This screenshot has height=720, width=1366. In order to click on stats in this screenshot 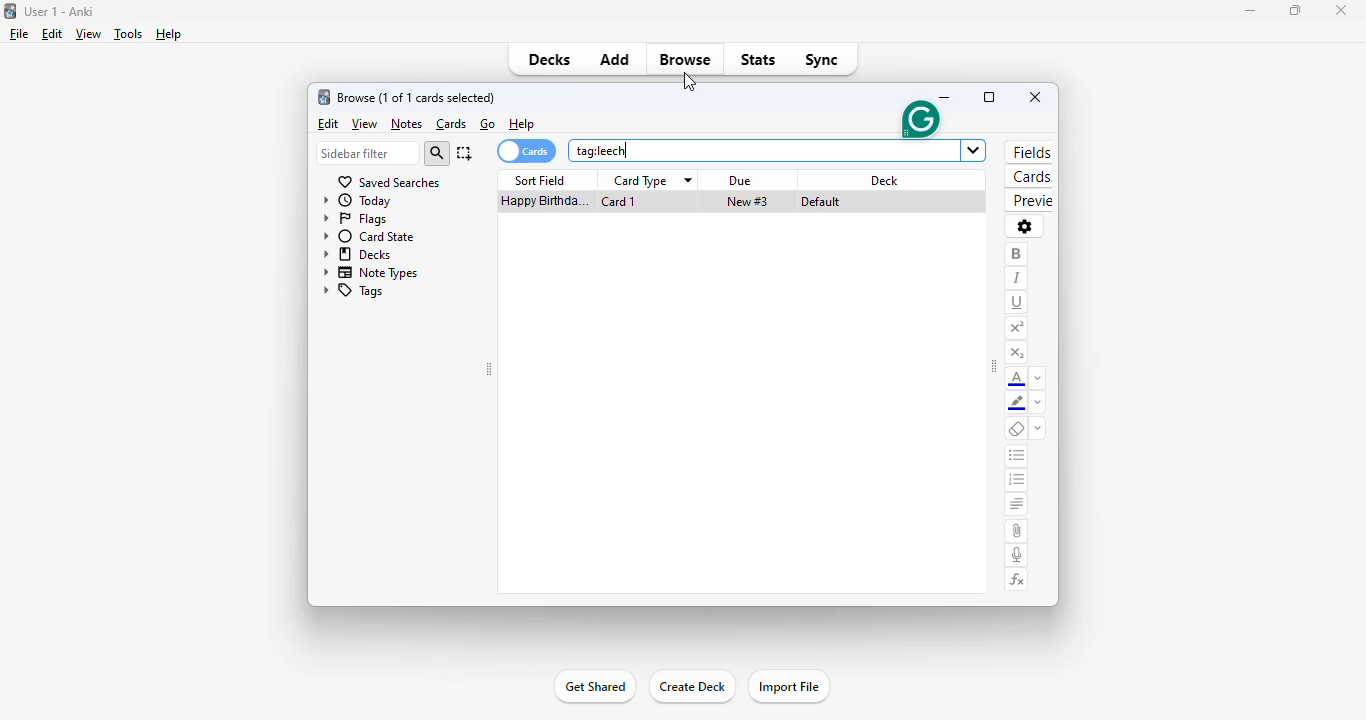, I will do `click(759, 60)`.